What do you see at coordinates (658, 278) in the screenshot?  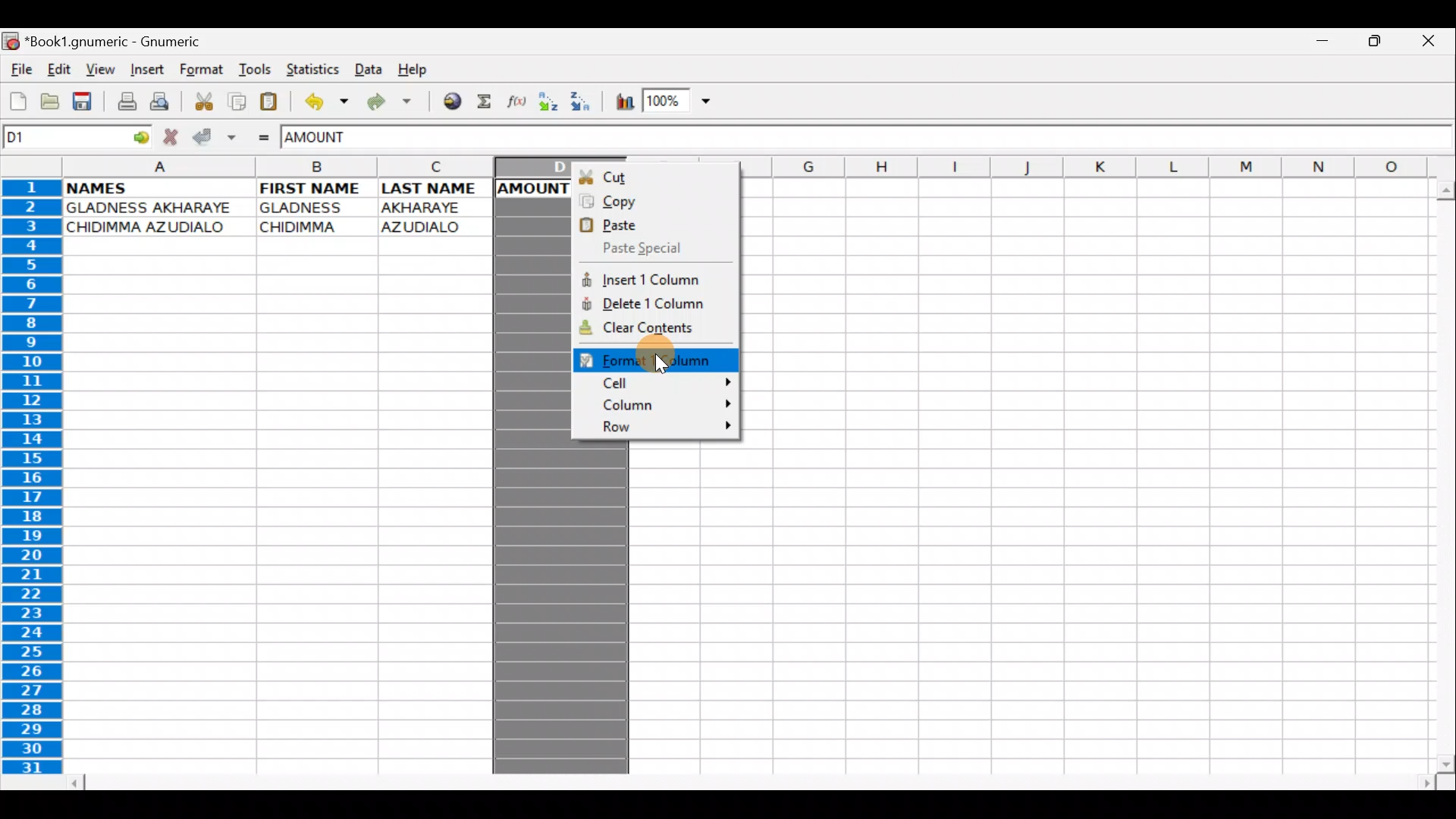 I see `Insert 1 column` at bounding box center [658, 278].